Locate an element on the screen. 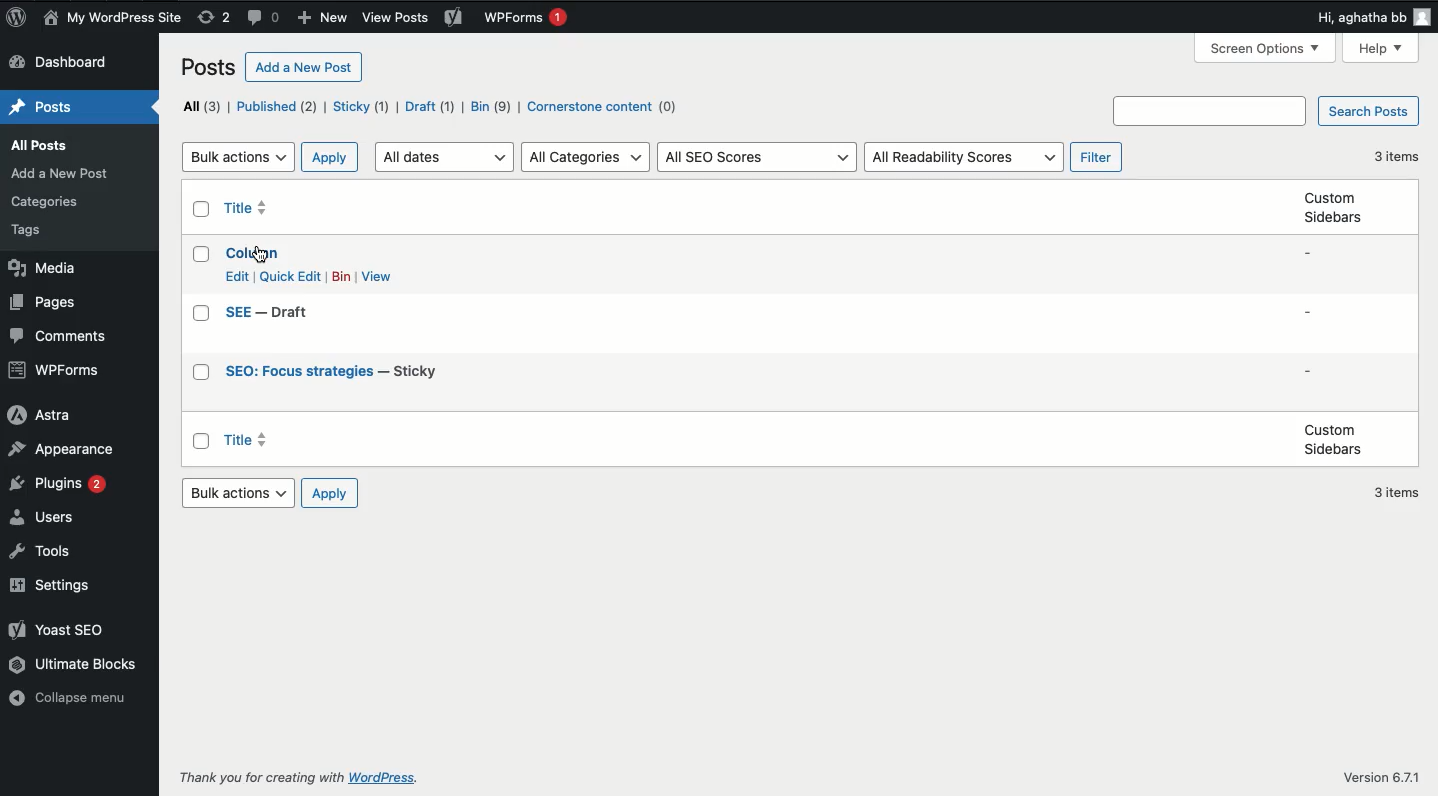 The width and height of the screenshot is (1438, 796). Users is located at coordinates (47, 515).